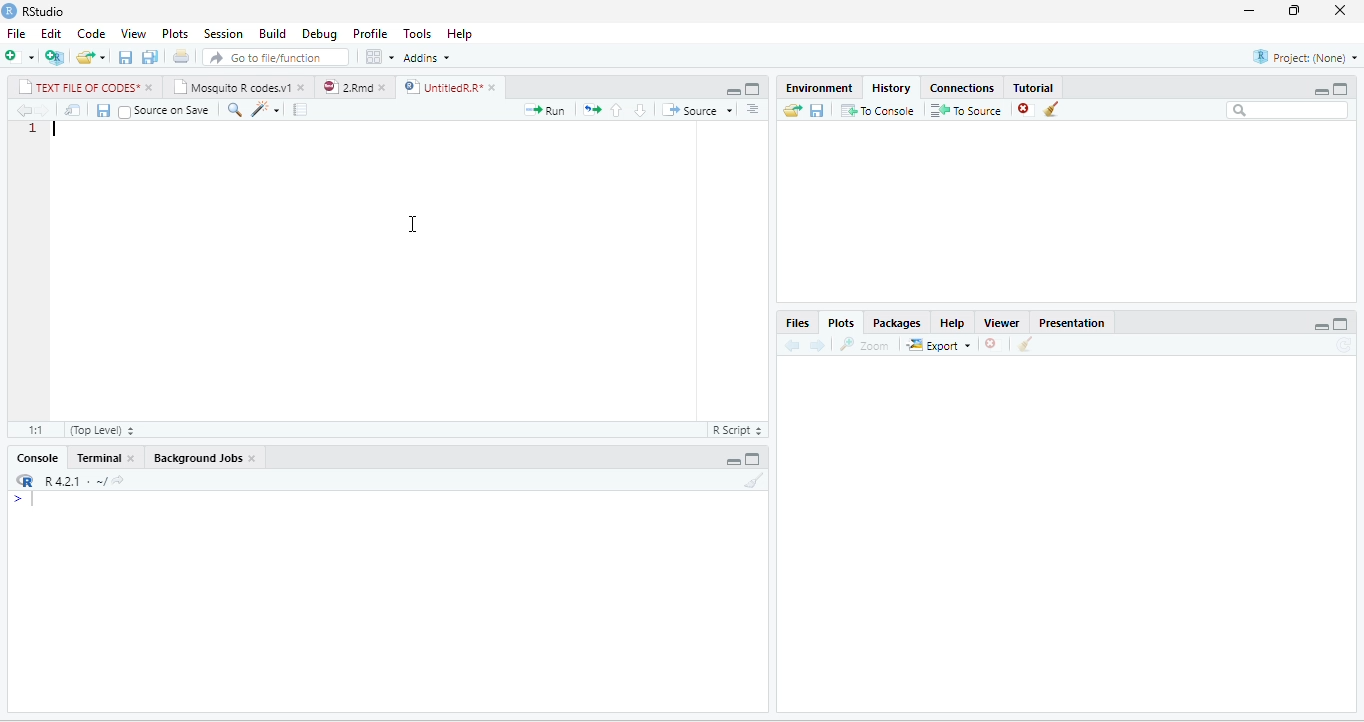 The width and height of the screenshot is (1364, 722). Describe the element at coordinates (414, 225) in the screenshot. I see `cursor` at that location.